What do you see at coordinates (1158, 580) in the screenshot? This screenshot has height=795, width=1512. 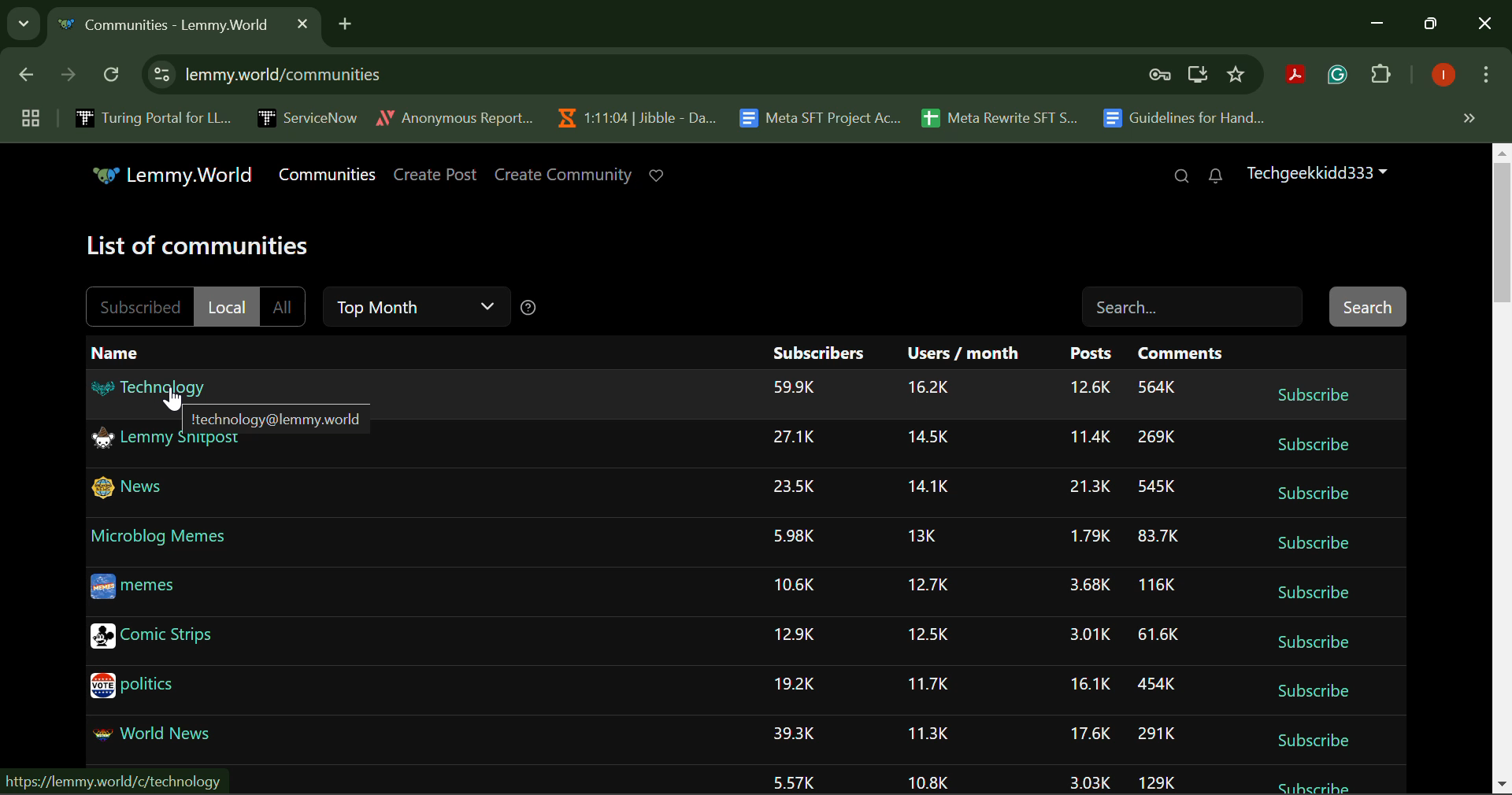 I see `Comments Column Values` at bounding box center [1158, 580].